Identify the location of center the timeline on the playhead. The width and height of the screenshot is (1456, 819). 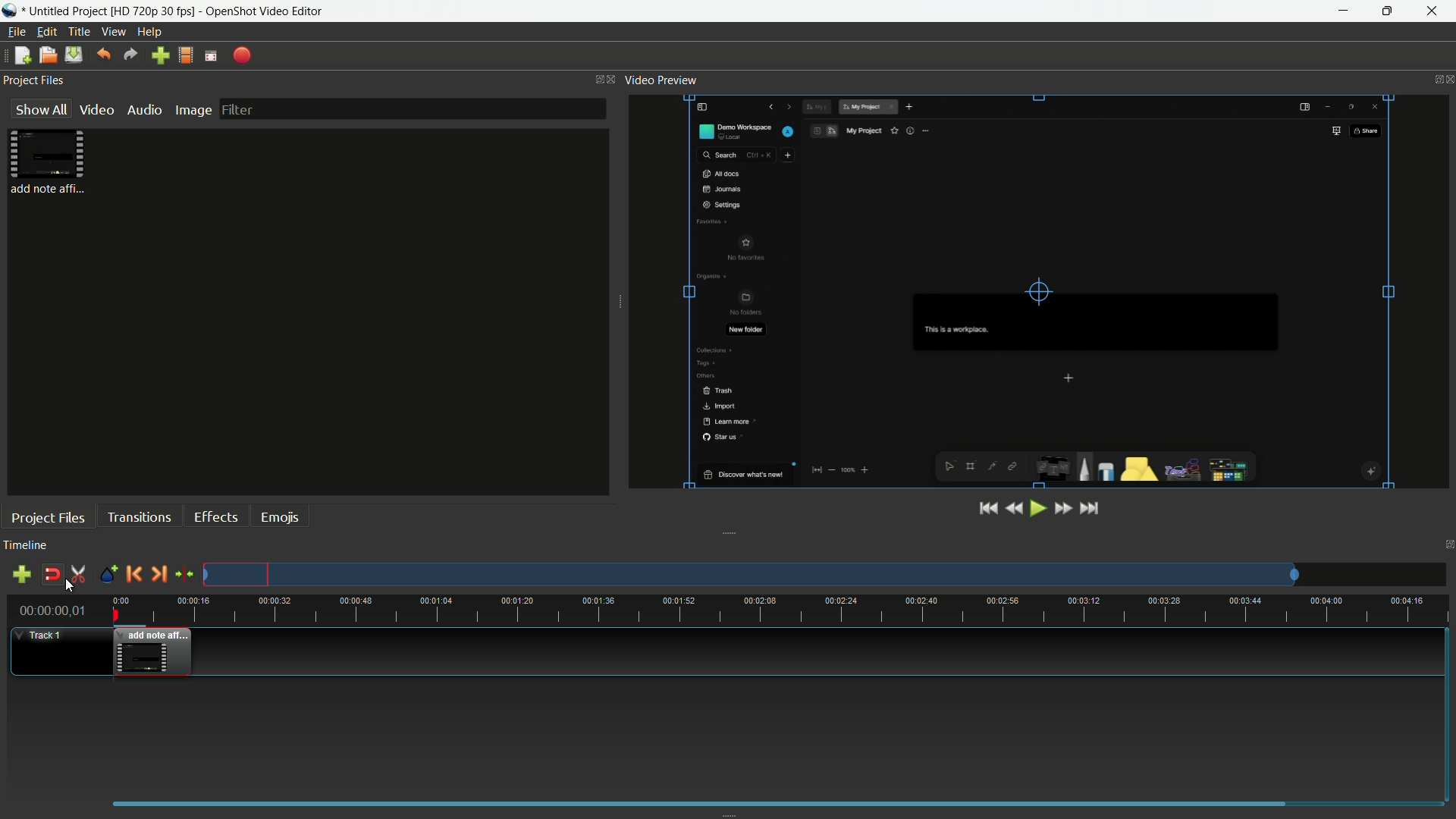
(184, 574).